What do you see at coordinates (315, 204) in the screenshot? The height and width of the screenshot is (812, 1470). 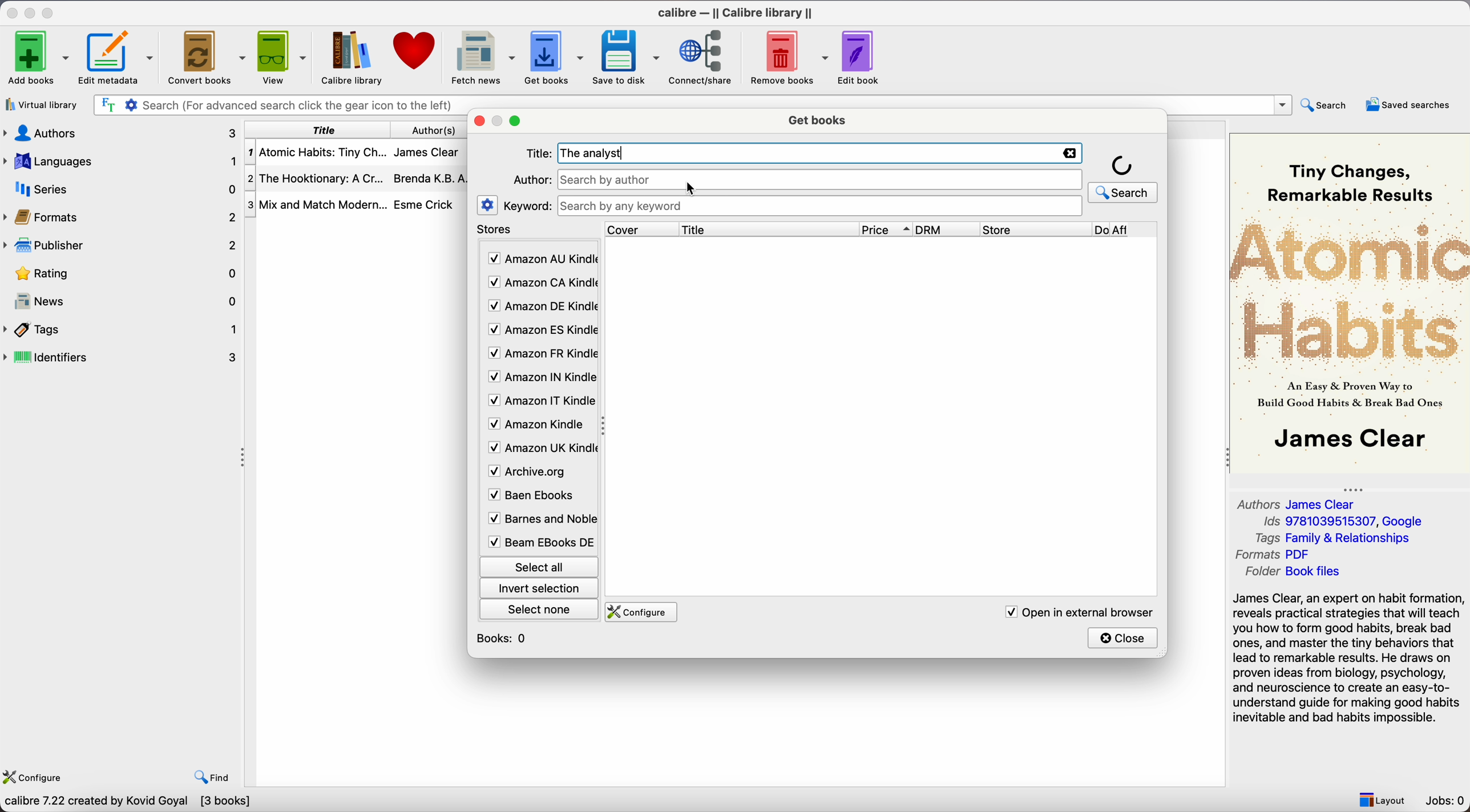 I see `Mix and Mtach Modern...` at bounding box center [315, 204].